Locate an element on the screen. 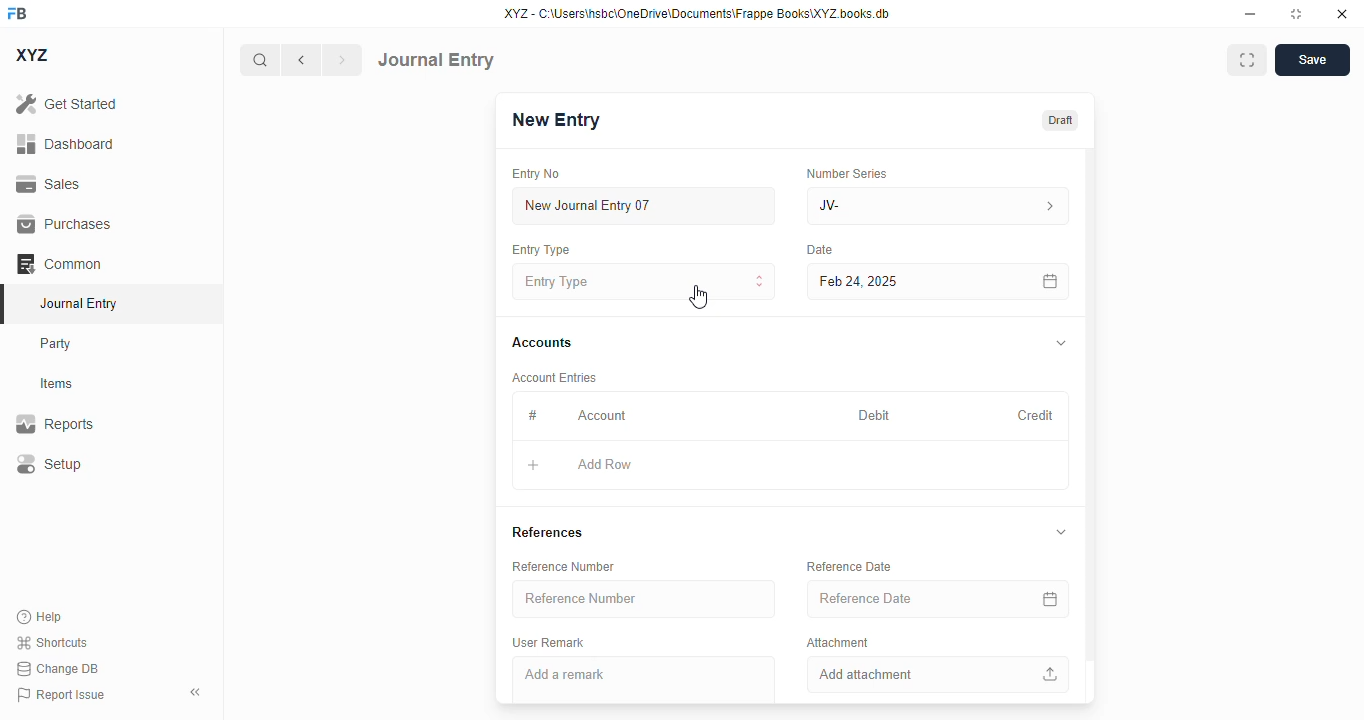 This screenshot has height=720, width=1364. party is located at coordinates (58, 344).